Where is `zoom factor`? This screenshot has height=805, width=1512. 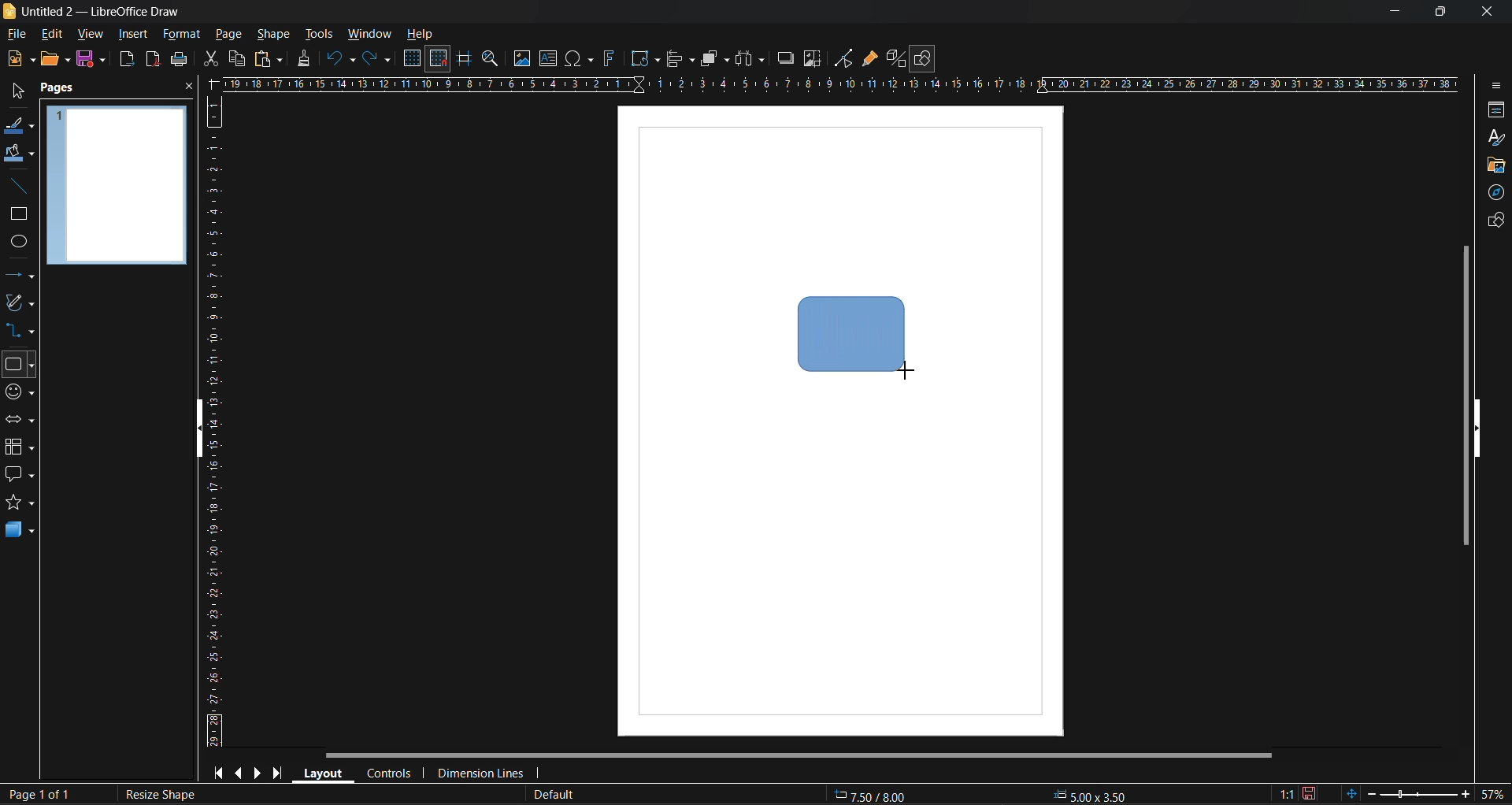 zoom factor is located at coordinates (1492, 793).